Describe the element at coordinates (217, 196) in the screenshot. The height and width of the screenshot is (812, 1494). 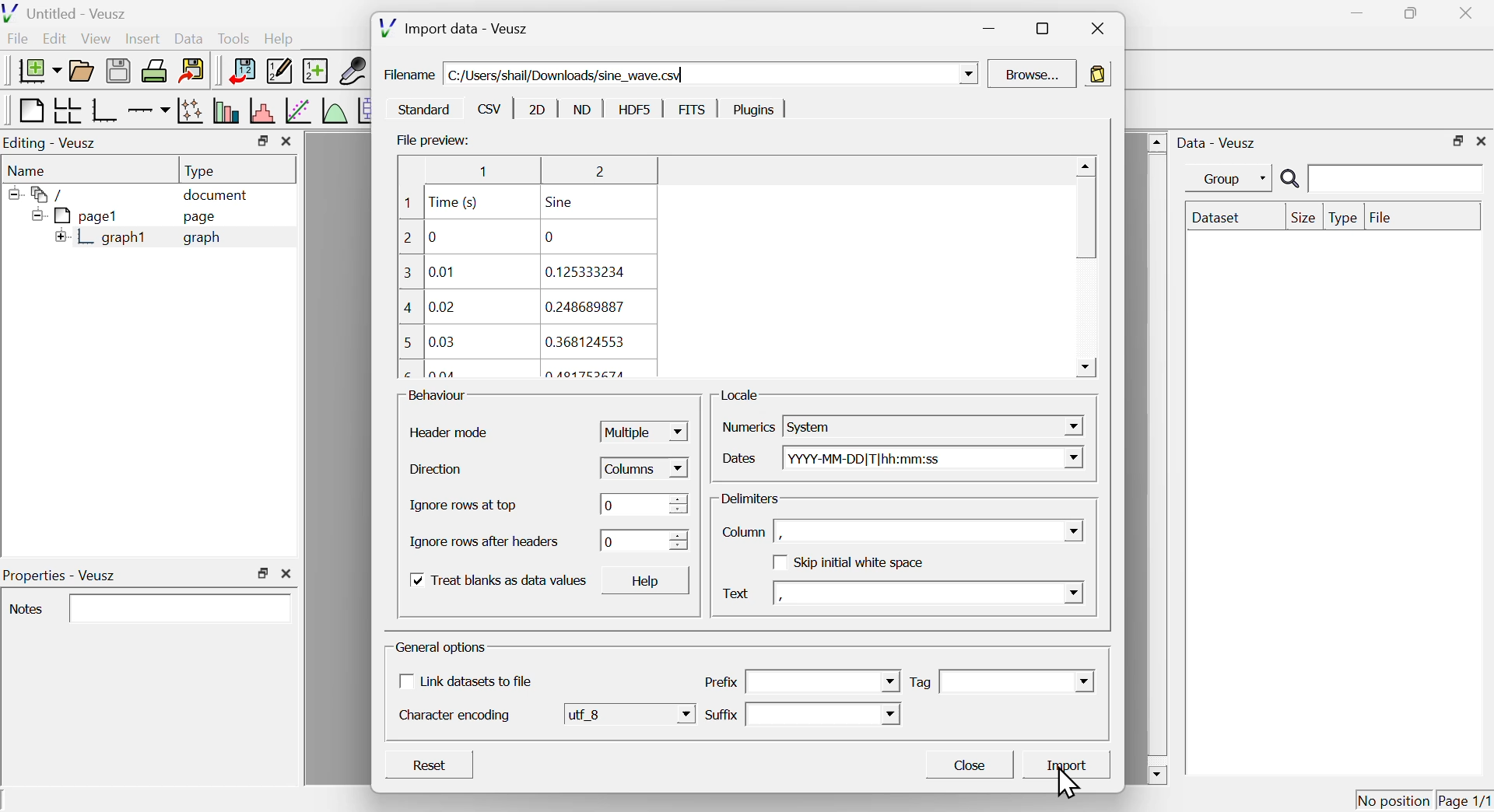
I see `document` at that location.